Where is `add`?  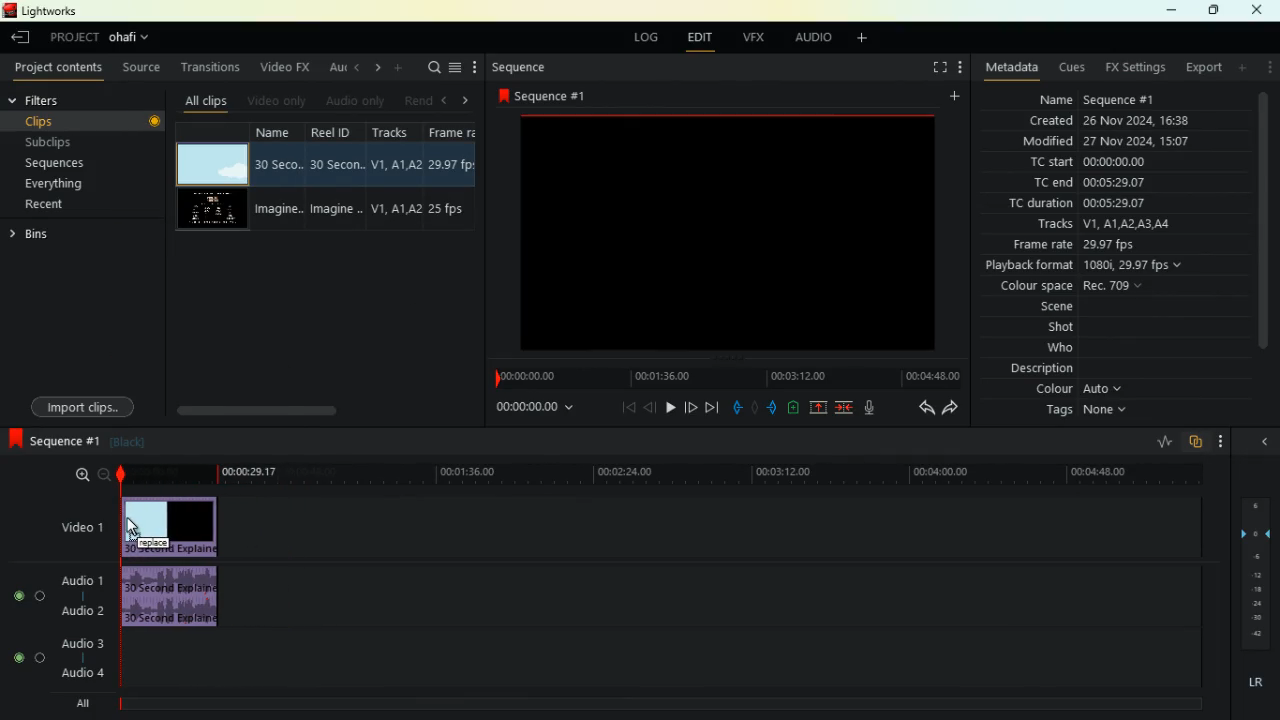 add is located at coordinates (1239, 67).